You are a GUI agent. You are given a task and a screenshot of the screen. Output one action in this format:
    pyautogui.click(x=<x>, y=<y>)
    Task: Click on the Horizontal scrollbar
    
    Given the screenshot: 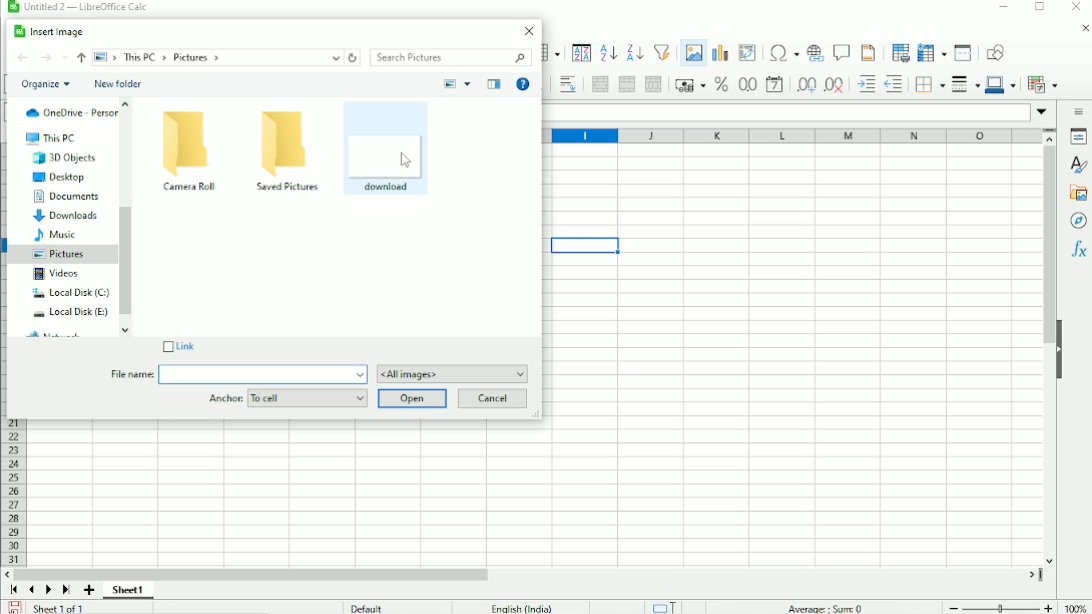 What is the action you would take?
    pyautogui.click(x=528, y=573)
    